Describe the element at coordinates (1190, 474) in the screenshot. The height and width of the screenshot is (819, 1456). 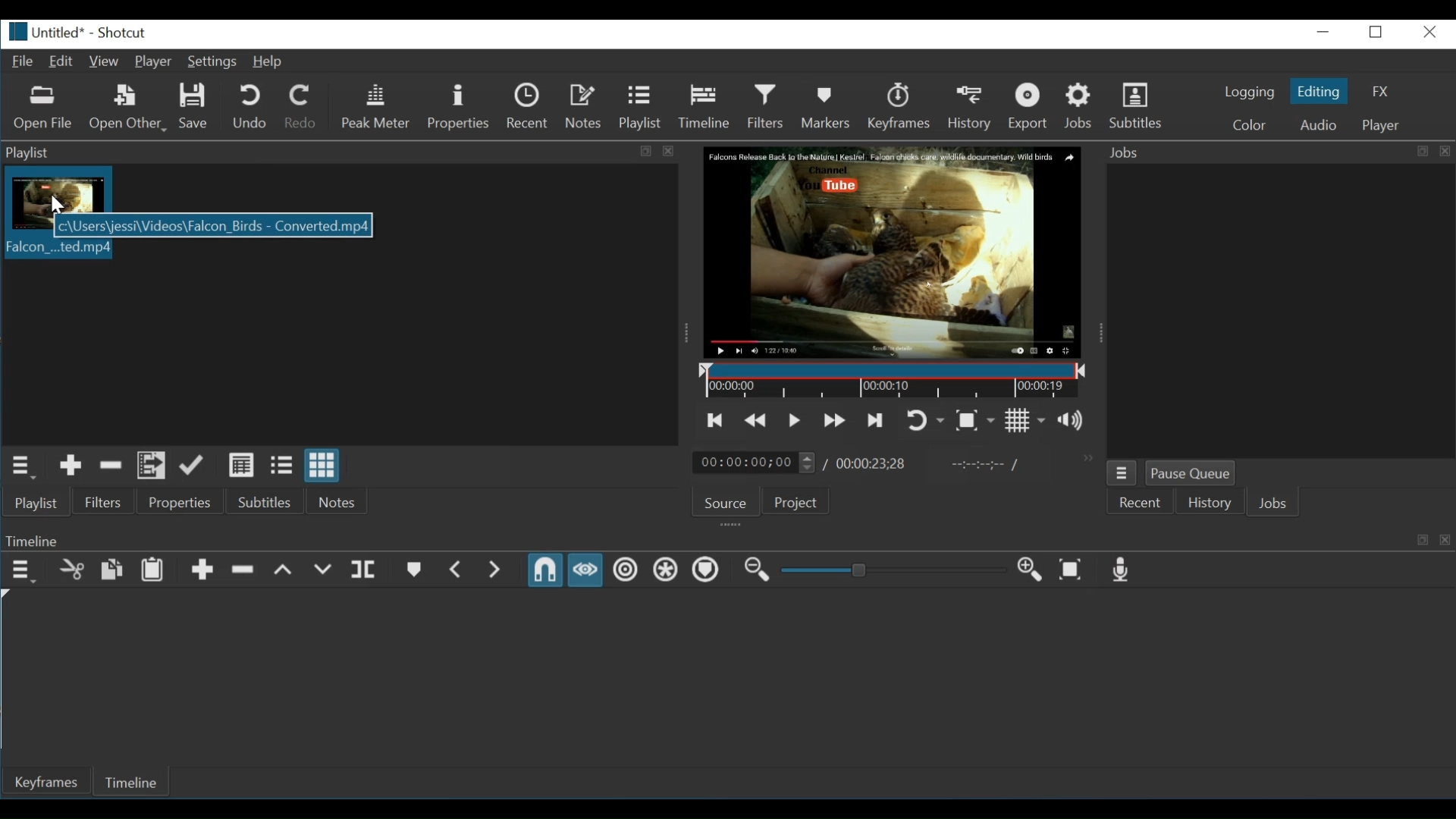
I see `Pause Queue` at that location.